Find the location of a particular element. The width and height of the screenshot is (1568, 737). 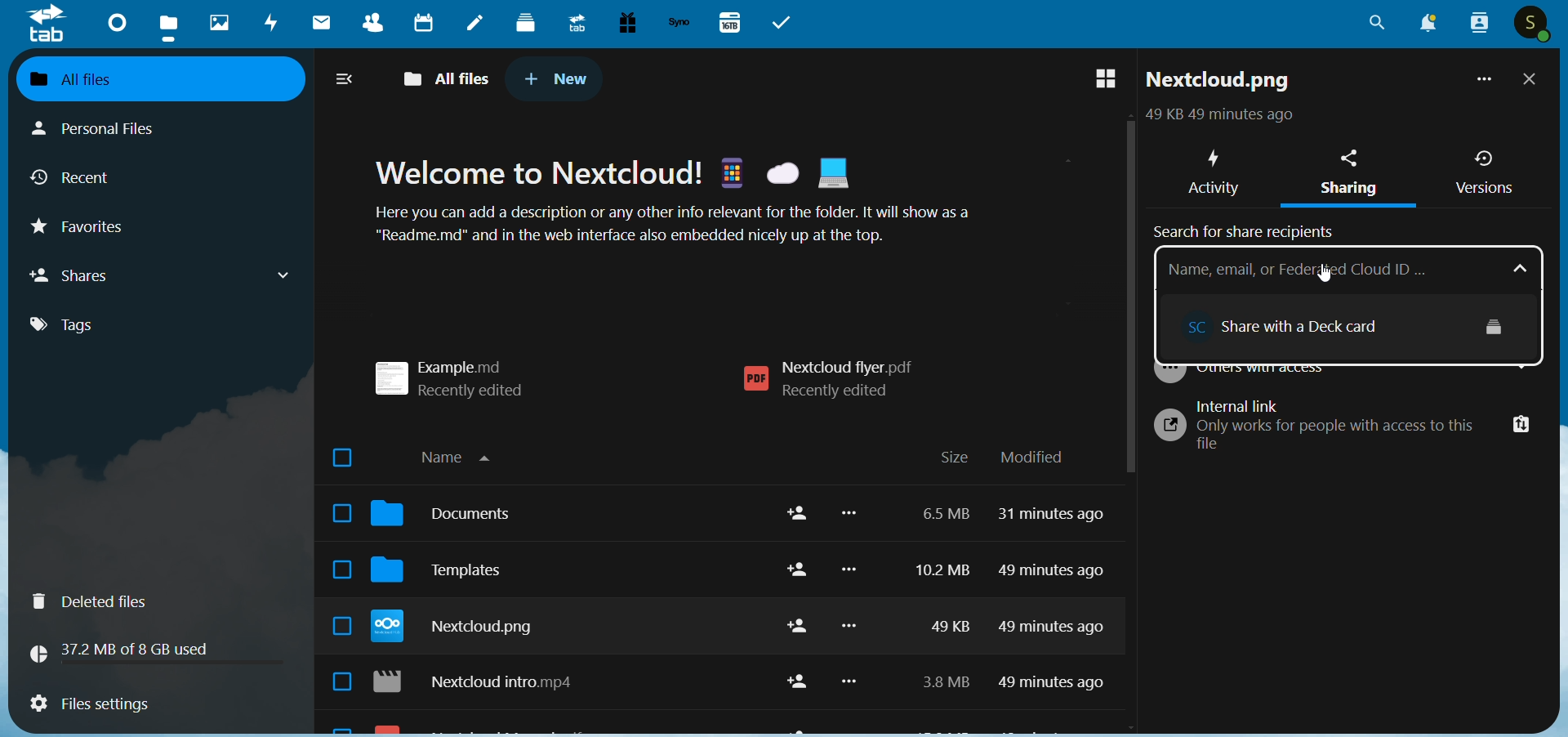

protected is located at coordinates (1495, 325).